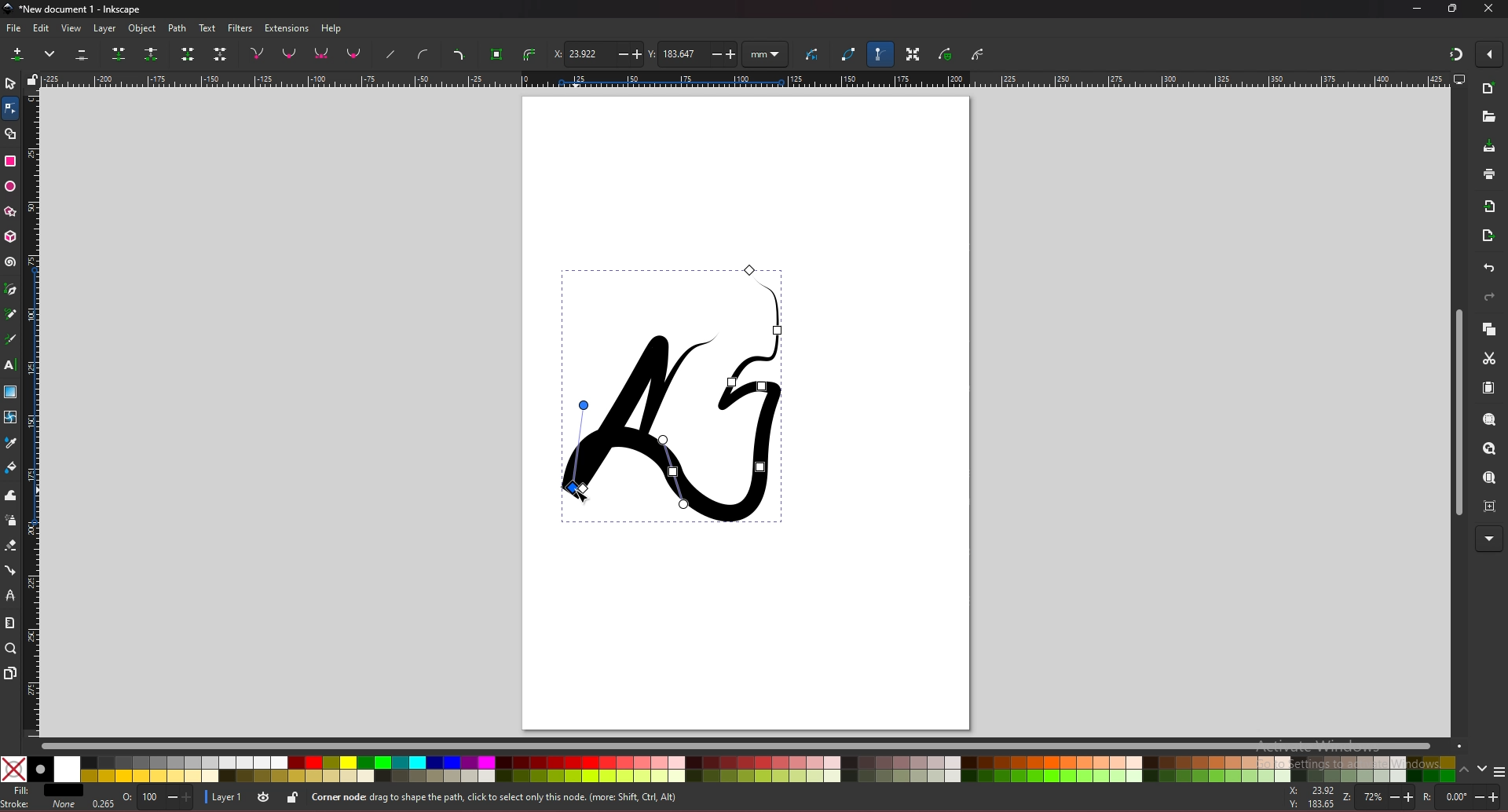  I want to click on units, so click(766, 55).